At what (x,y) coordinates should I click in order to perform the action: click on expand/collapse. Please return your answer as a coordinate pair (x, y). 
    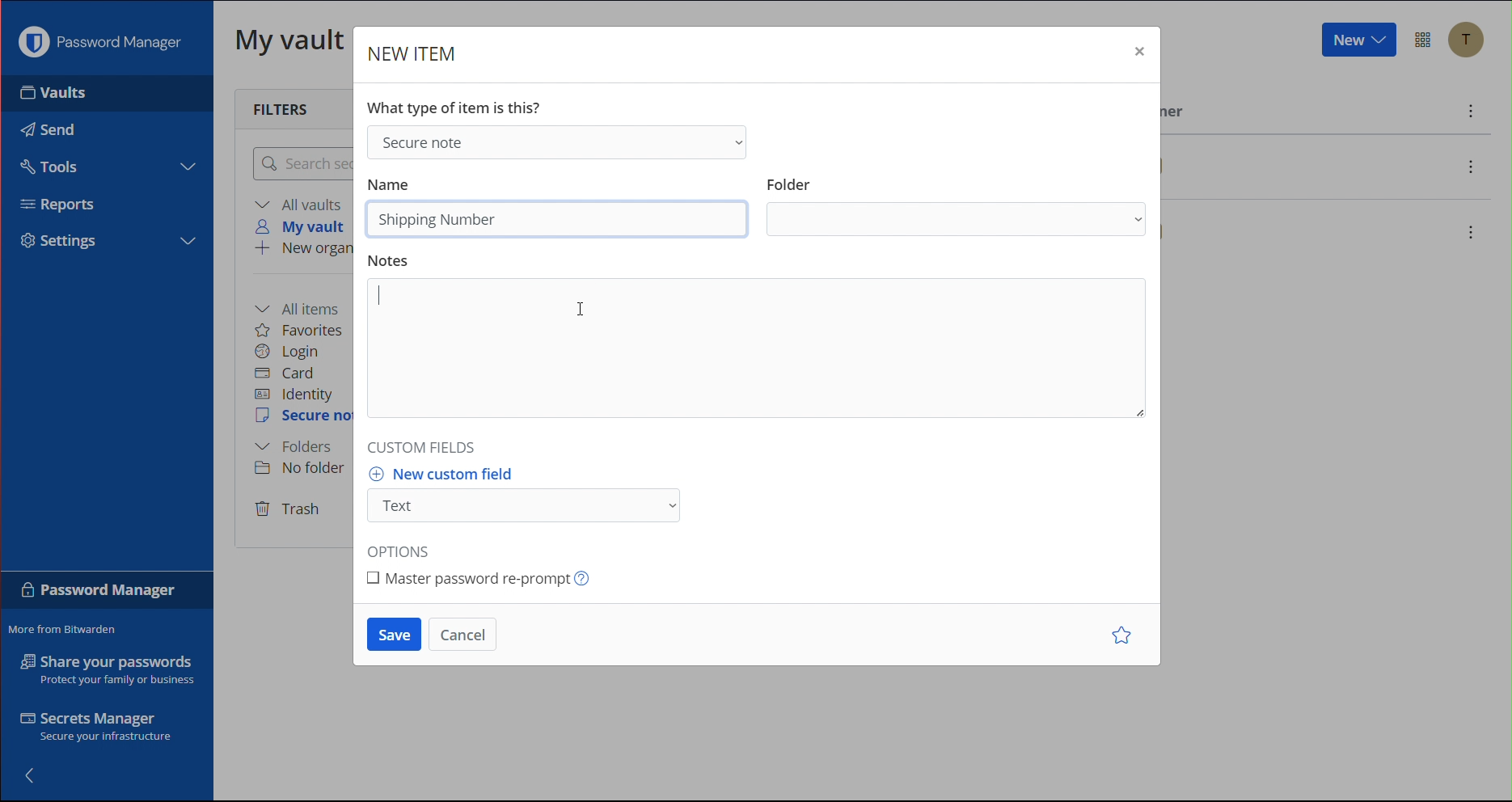
    Looking at the image, I should click on (186, 168).